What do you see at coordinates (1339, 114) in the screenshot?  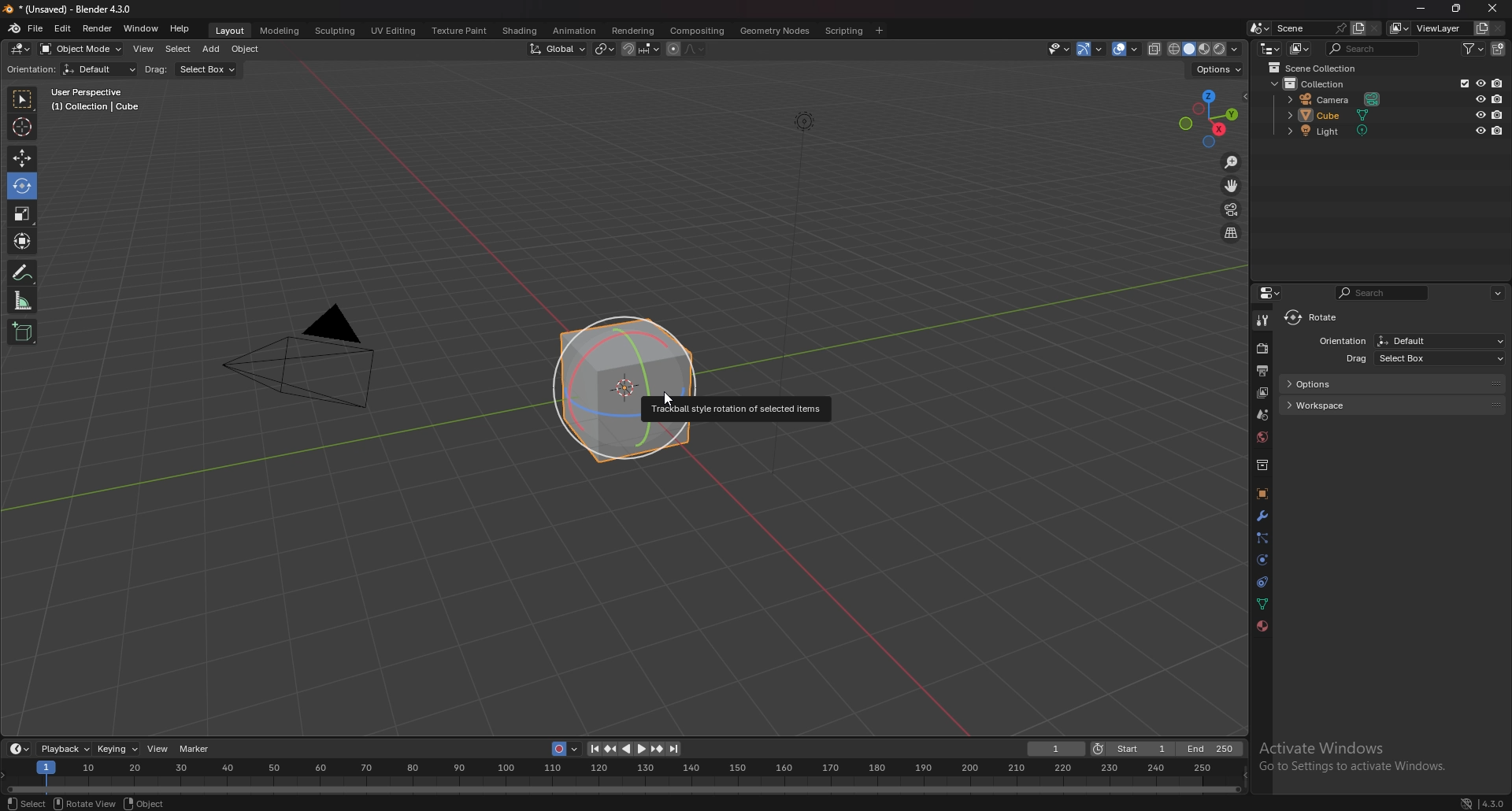 I see `cube` at bounding box center [1339, 114].